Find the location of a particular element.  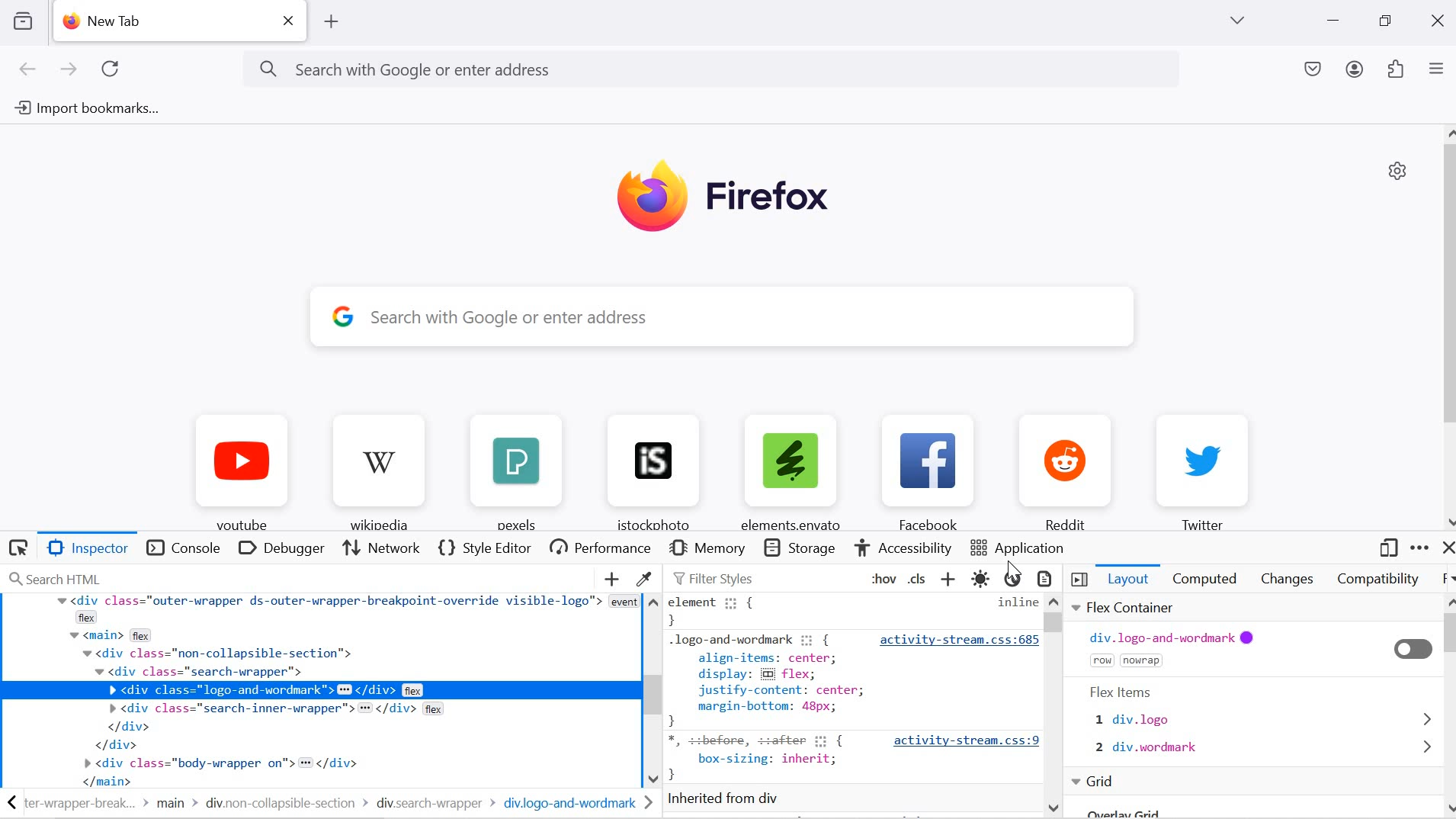

scrollbar is located at coordinates (1447, 283).